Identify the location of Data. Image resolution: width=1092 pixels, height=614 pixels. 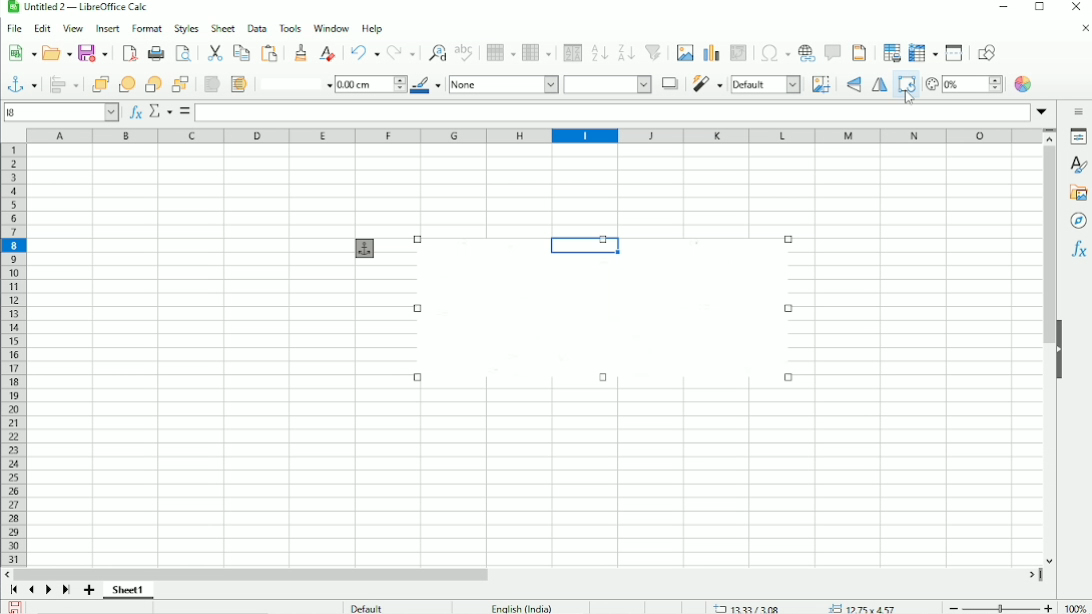
(256, 28).